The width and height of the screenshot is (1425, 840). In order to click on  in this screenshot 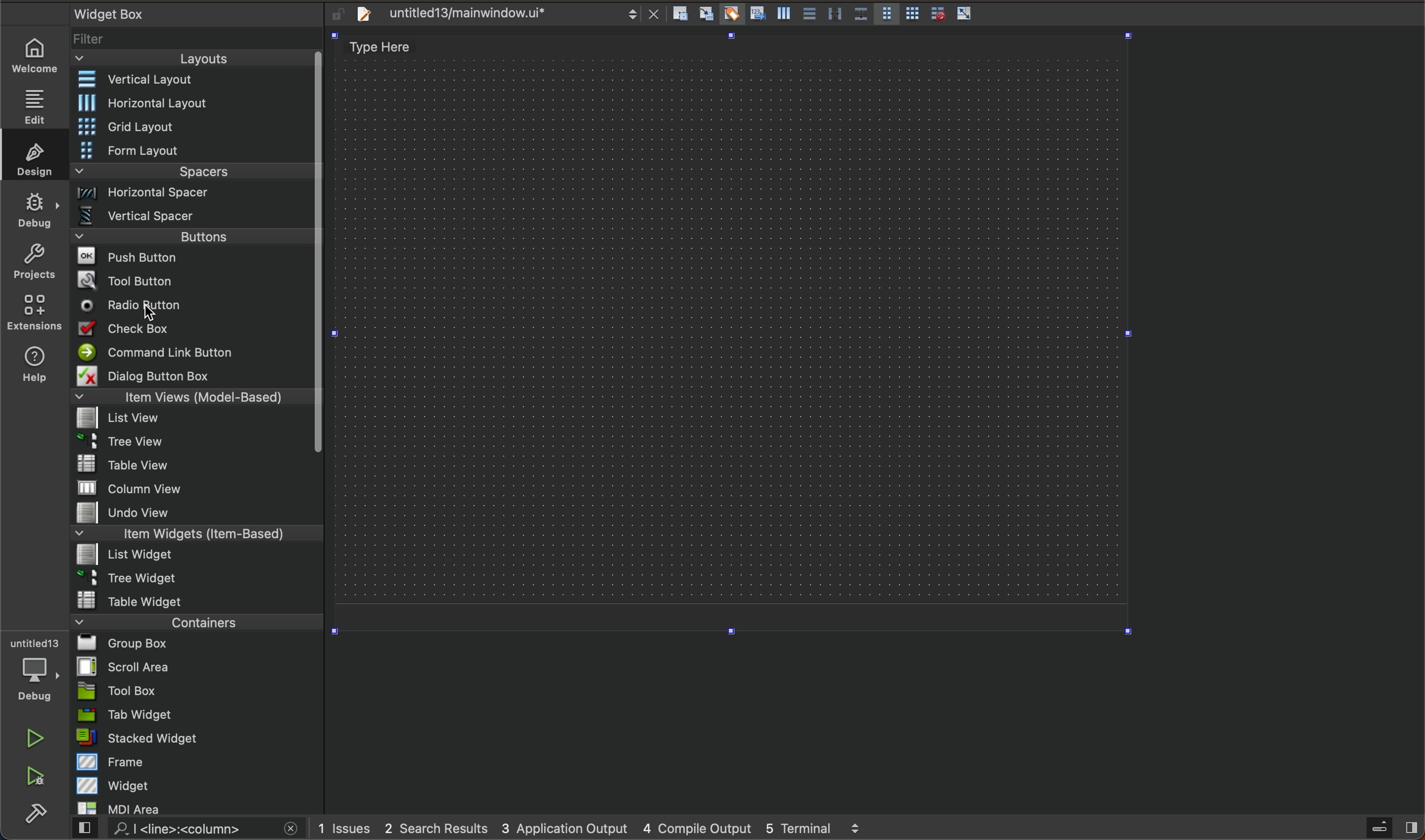, I will do `click(860, 15)`.